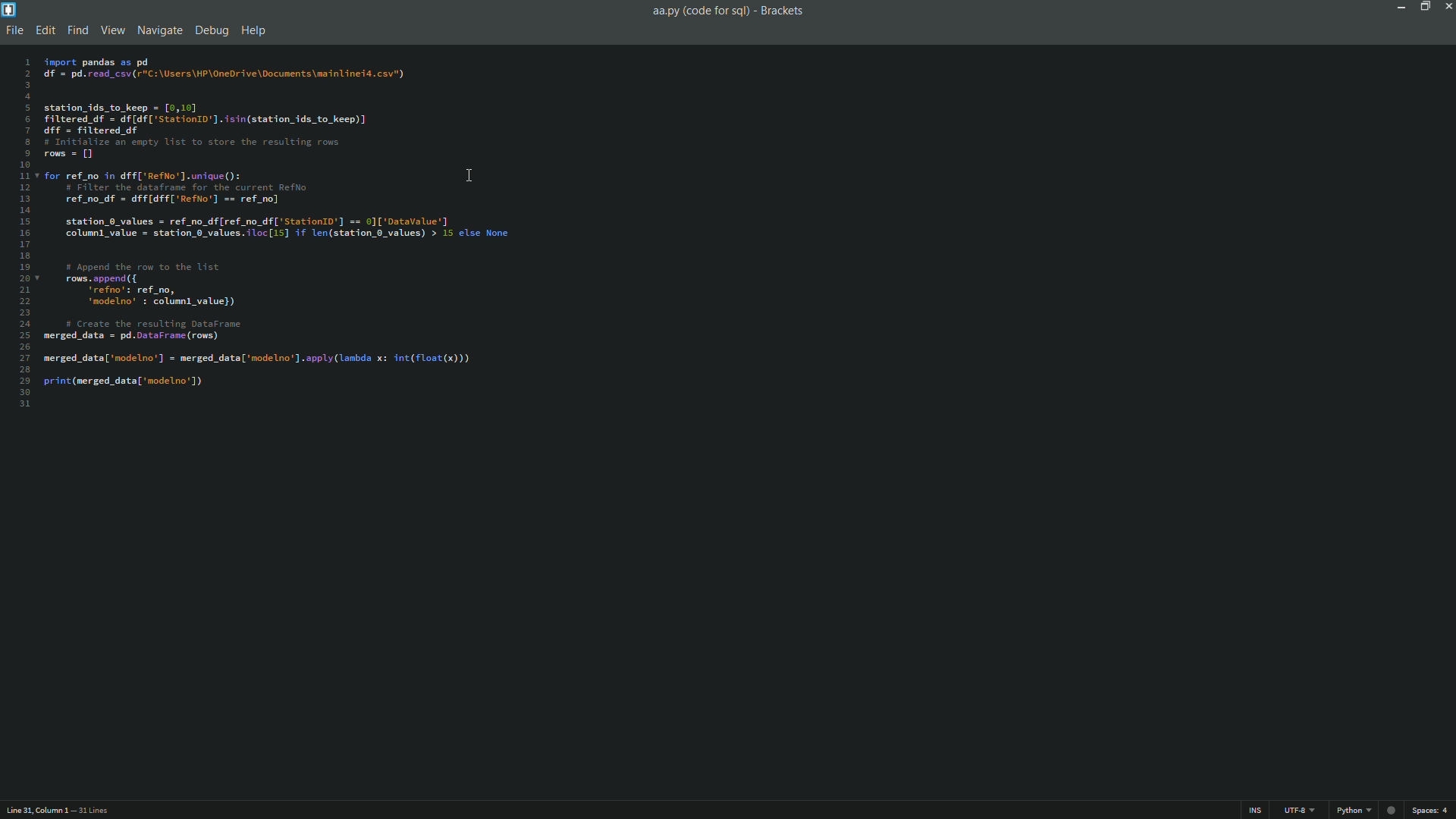  Describe the element at coordinates (42, 30) in the screenshot. I see `edit menu` at that location.